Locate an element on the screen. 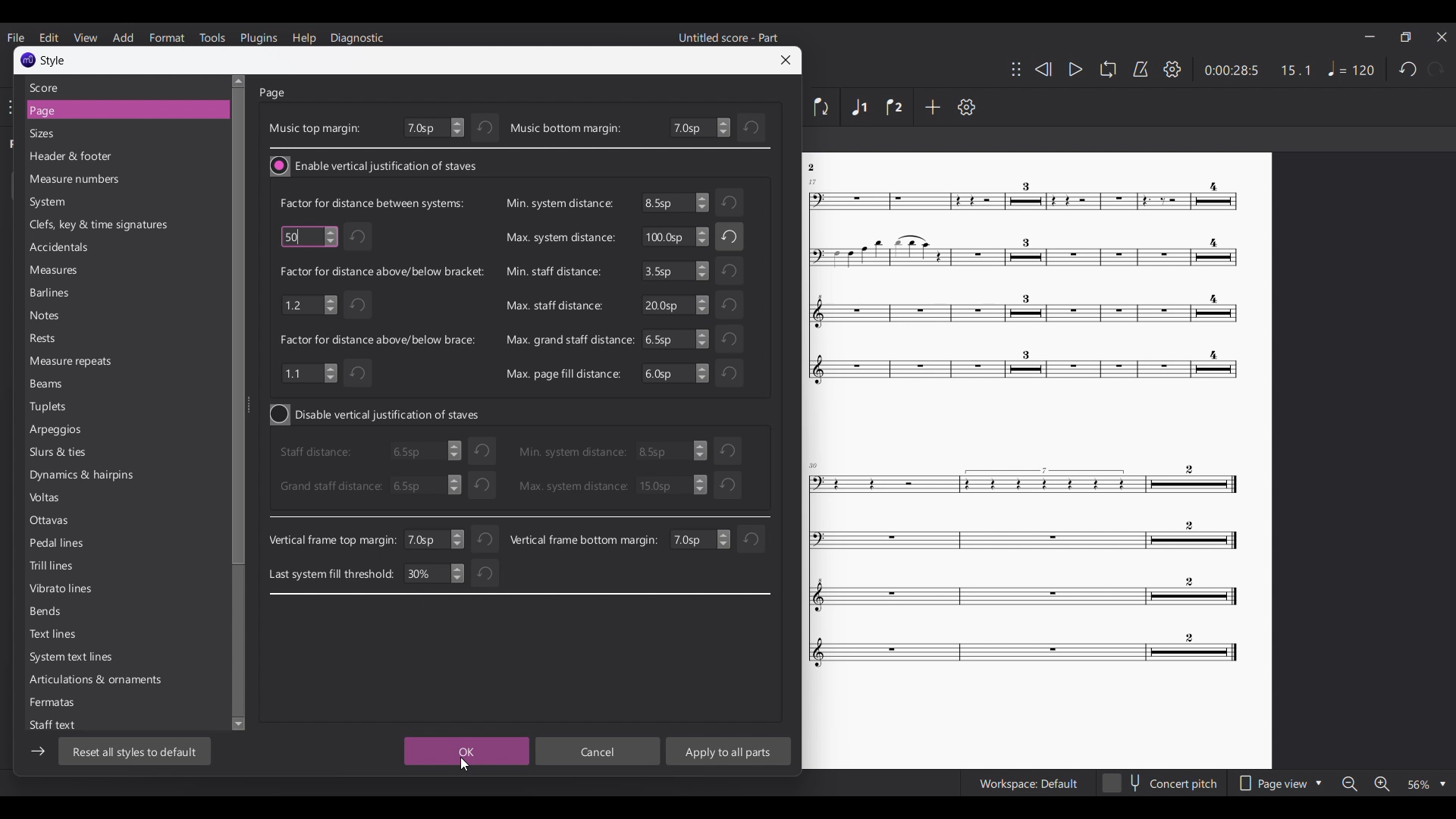 This screenshot has width=1456, height=819. 1.1 is located at coordinates (309, 372).